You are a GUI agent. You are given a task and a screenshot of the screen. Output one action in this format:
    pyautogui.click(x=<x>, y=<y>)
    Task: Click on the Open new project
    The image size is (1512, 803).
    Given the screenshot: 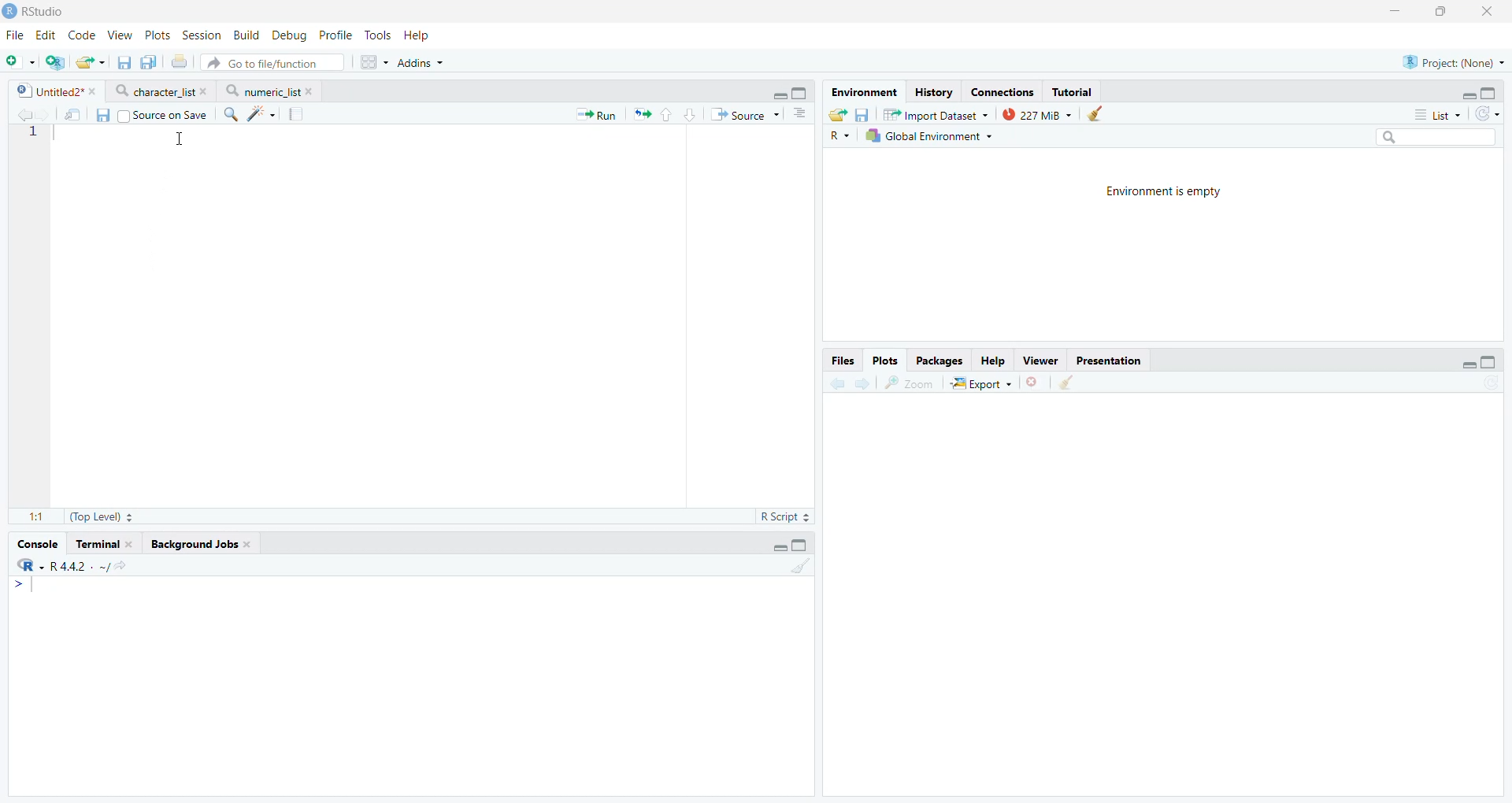 What is the action you would take?
    pyautogui.click(x=54, y=62)
    